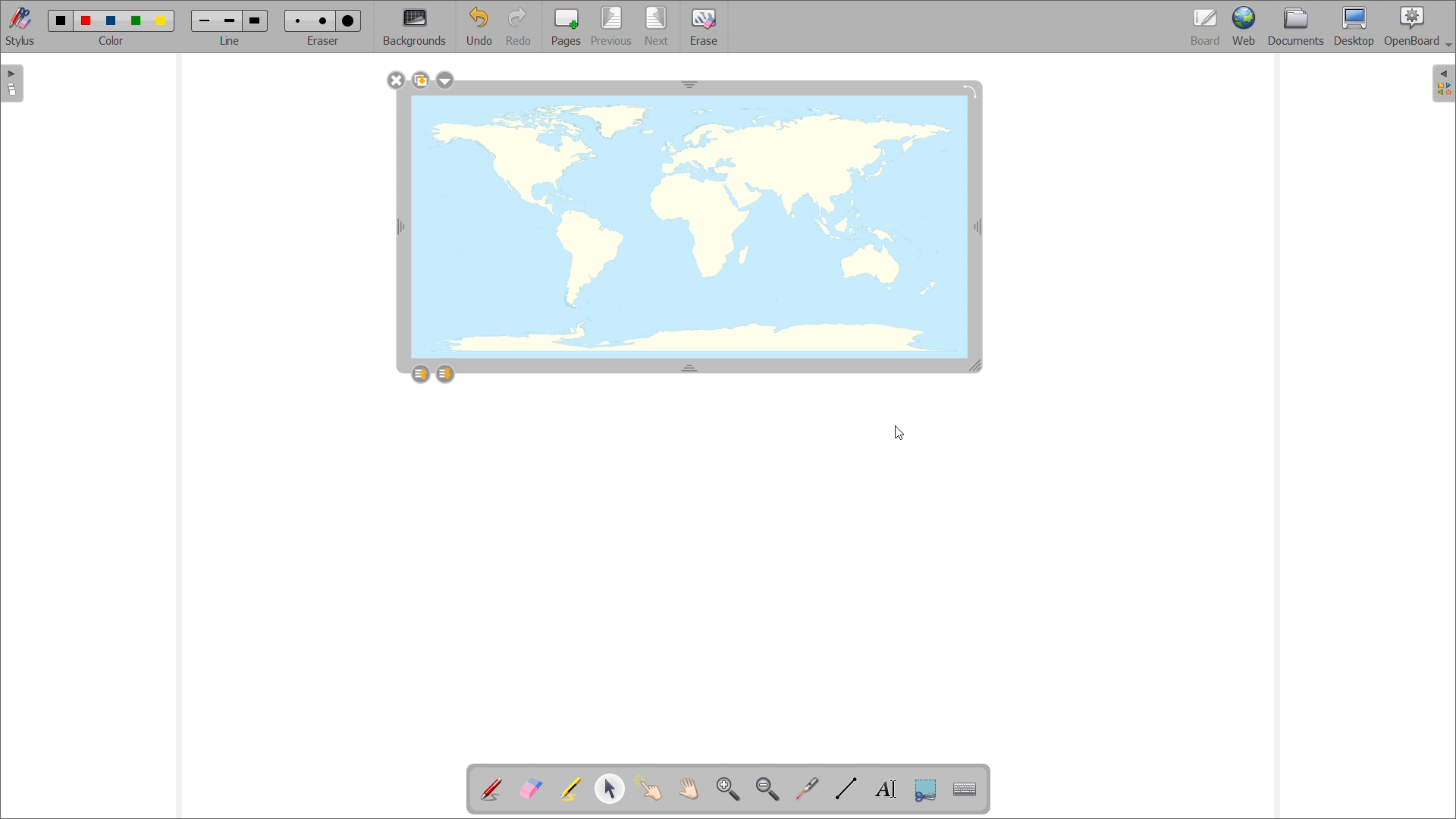  What do you see at coordinates (649, 789) in the screenshot?
I see `interact with items` at bounding box center [649, 789].